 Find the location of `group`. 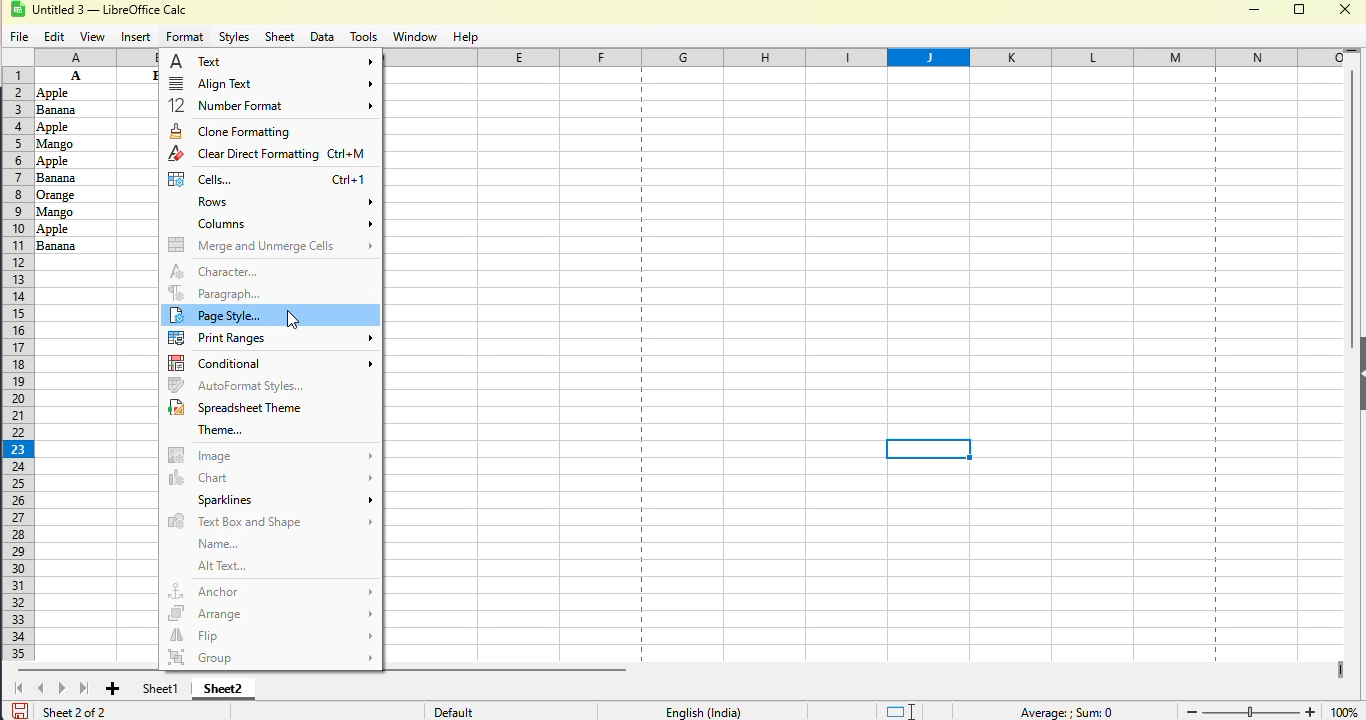

group is located at coordinates (271, 654).